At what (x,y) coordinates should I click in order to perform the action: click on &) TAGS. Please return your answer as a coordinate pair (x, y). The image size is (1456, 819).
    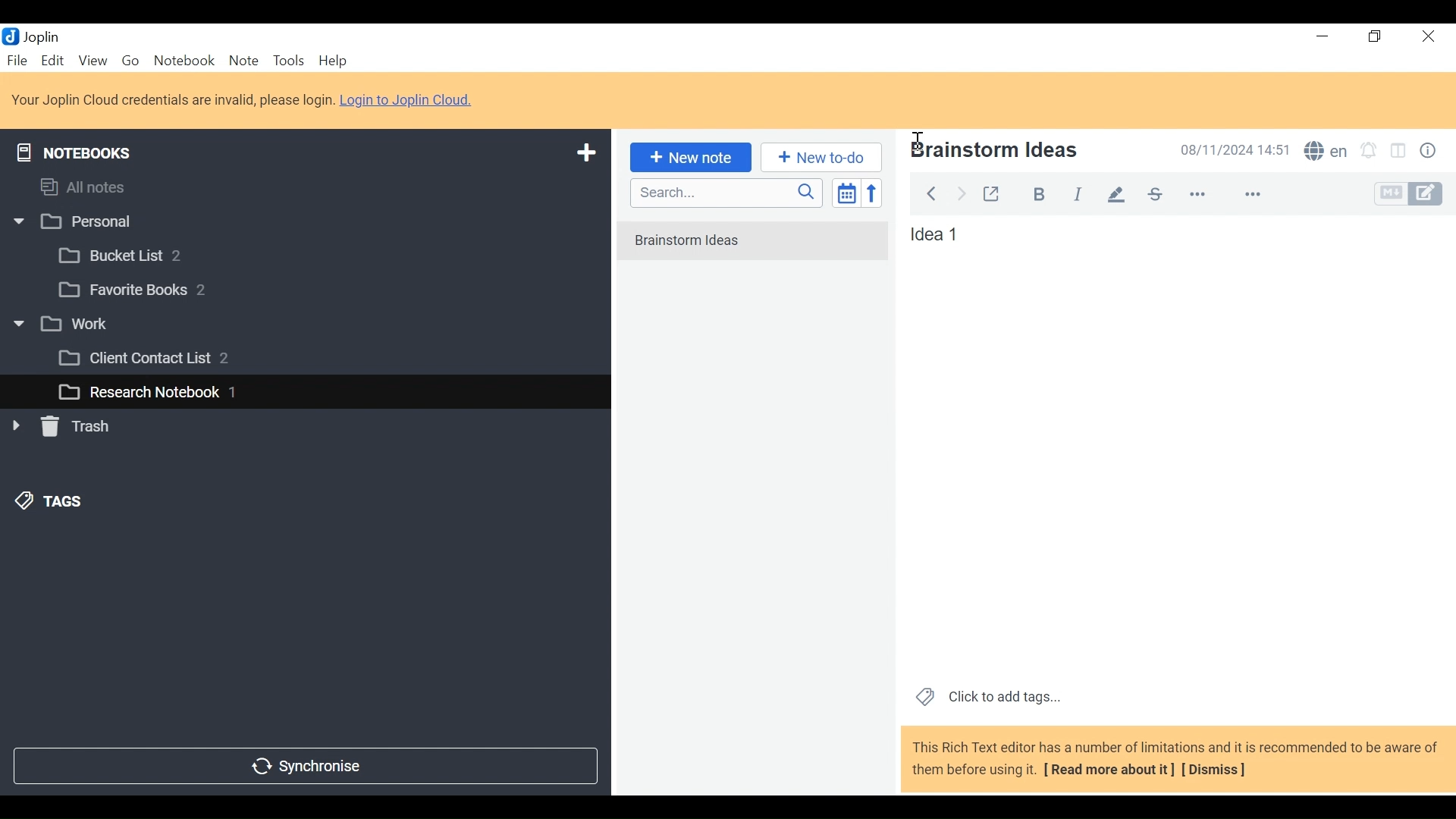
    Looking at the image, I should click on (66, 503).